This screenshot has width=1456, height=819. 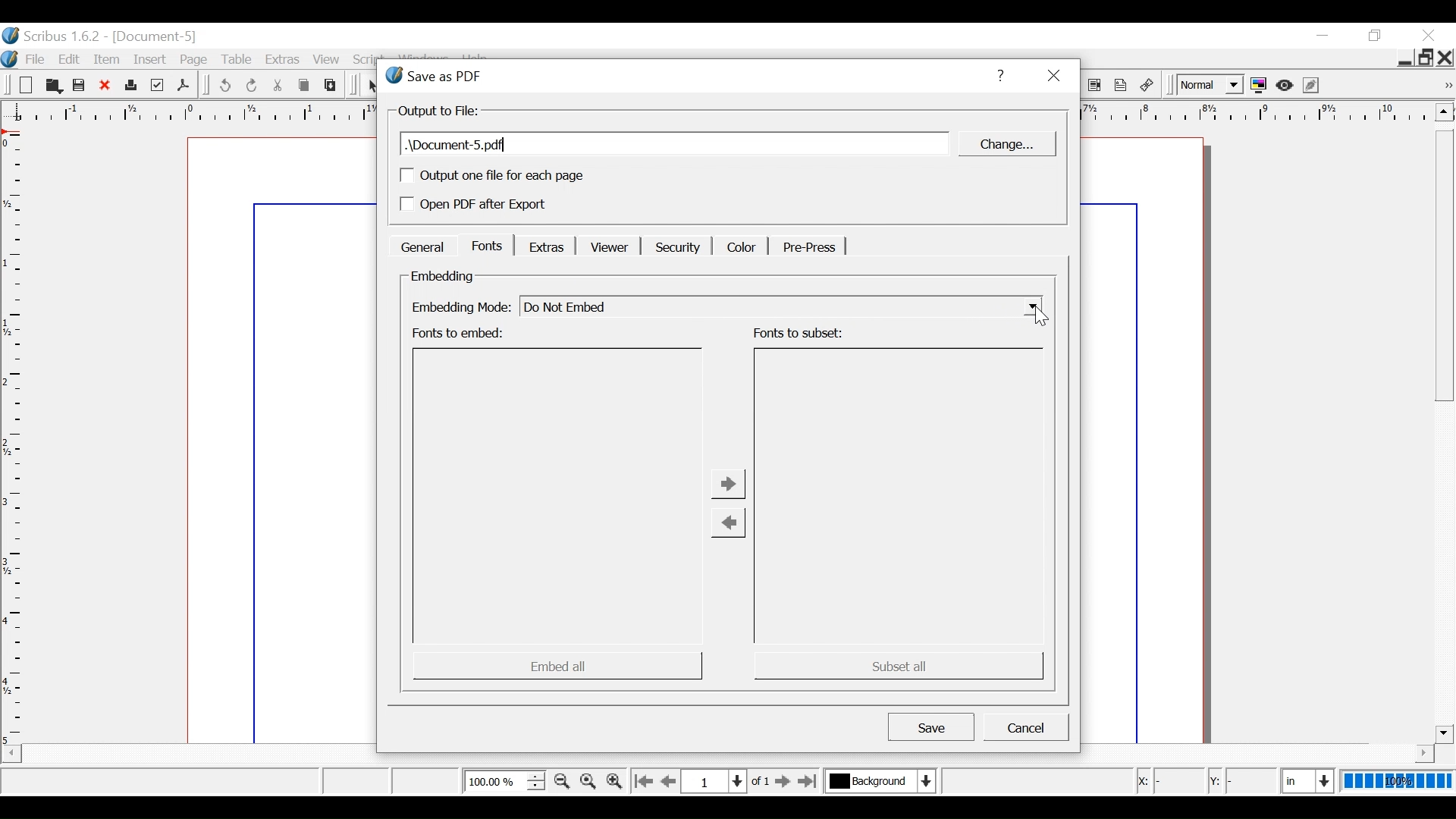 I want to click on Close, so click(x=1428, y=35).